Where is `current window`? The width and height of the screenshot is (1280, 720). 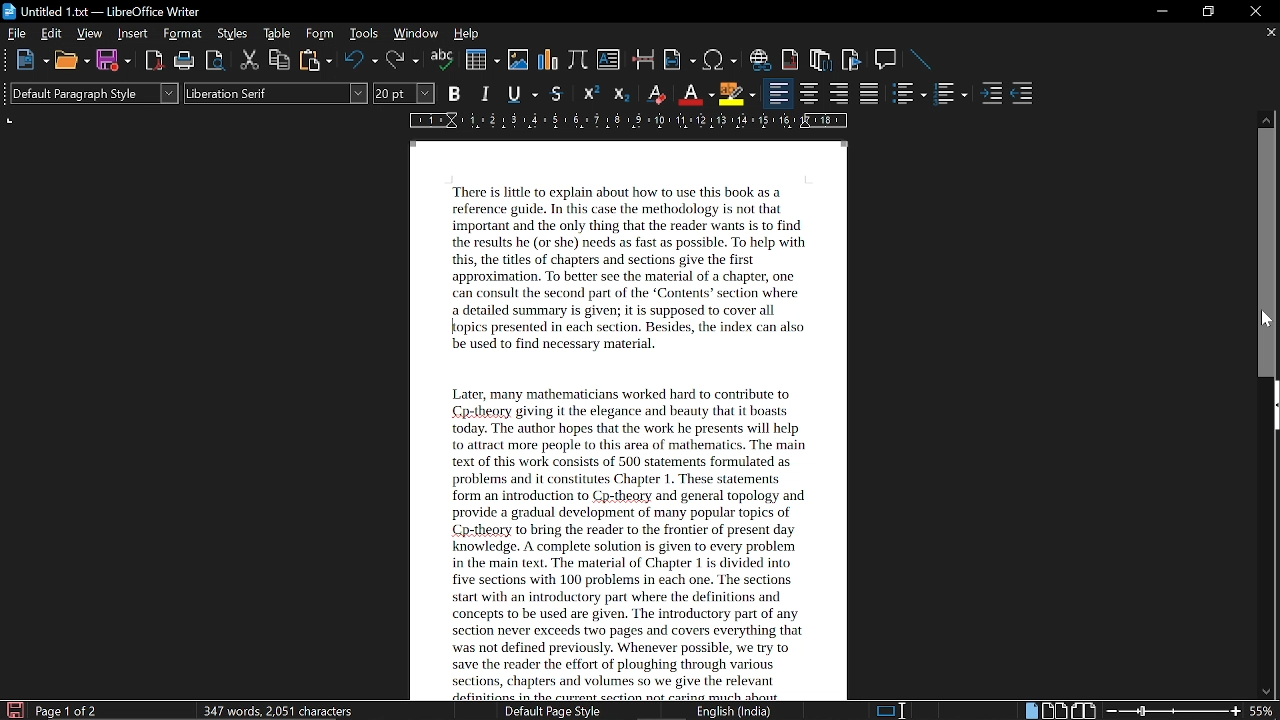 current window is located at coordinates (102, 11).